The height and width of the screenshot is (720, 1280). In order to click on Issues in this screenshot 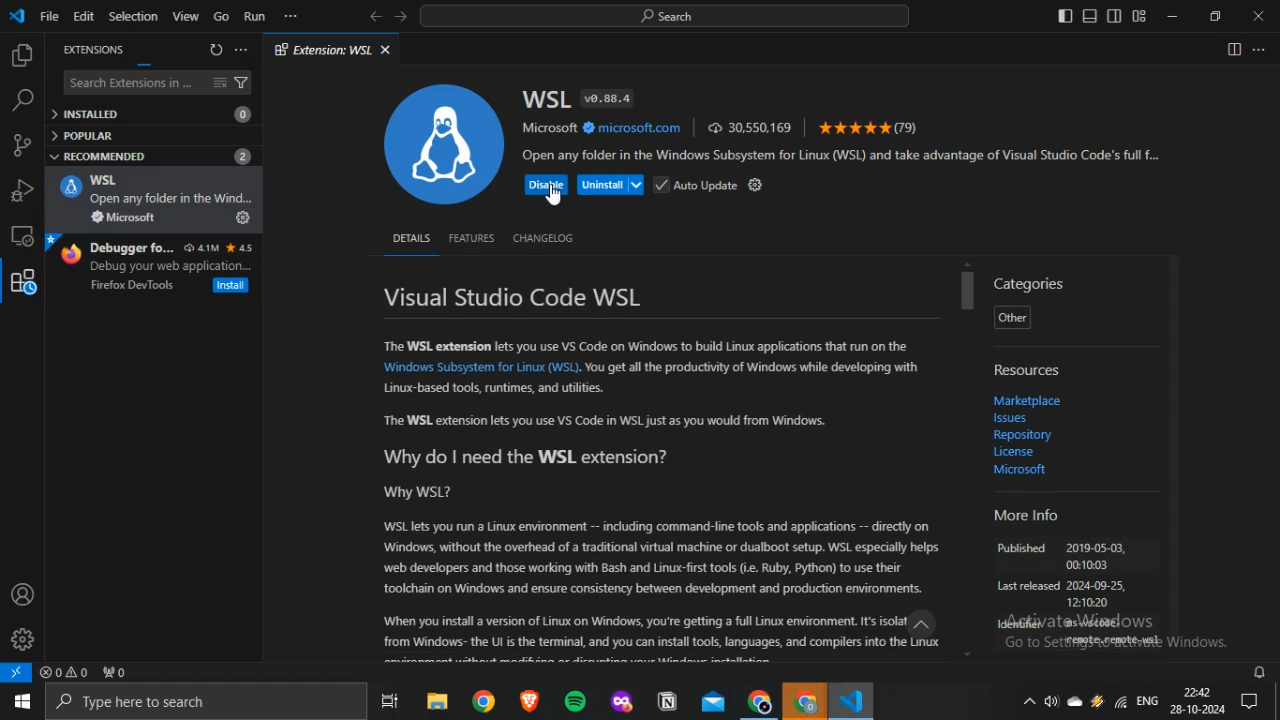, I will do `click(1013, 419)`.